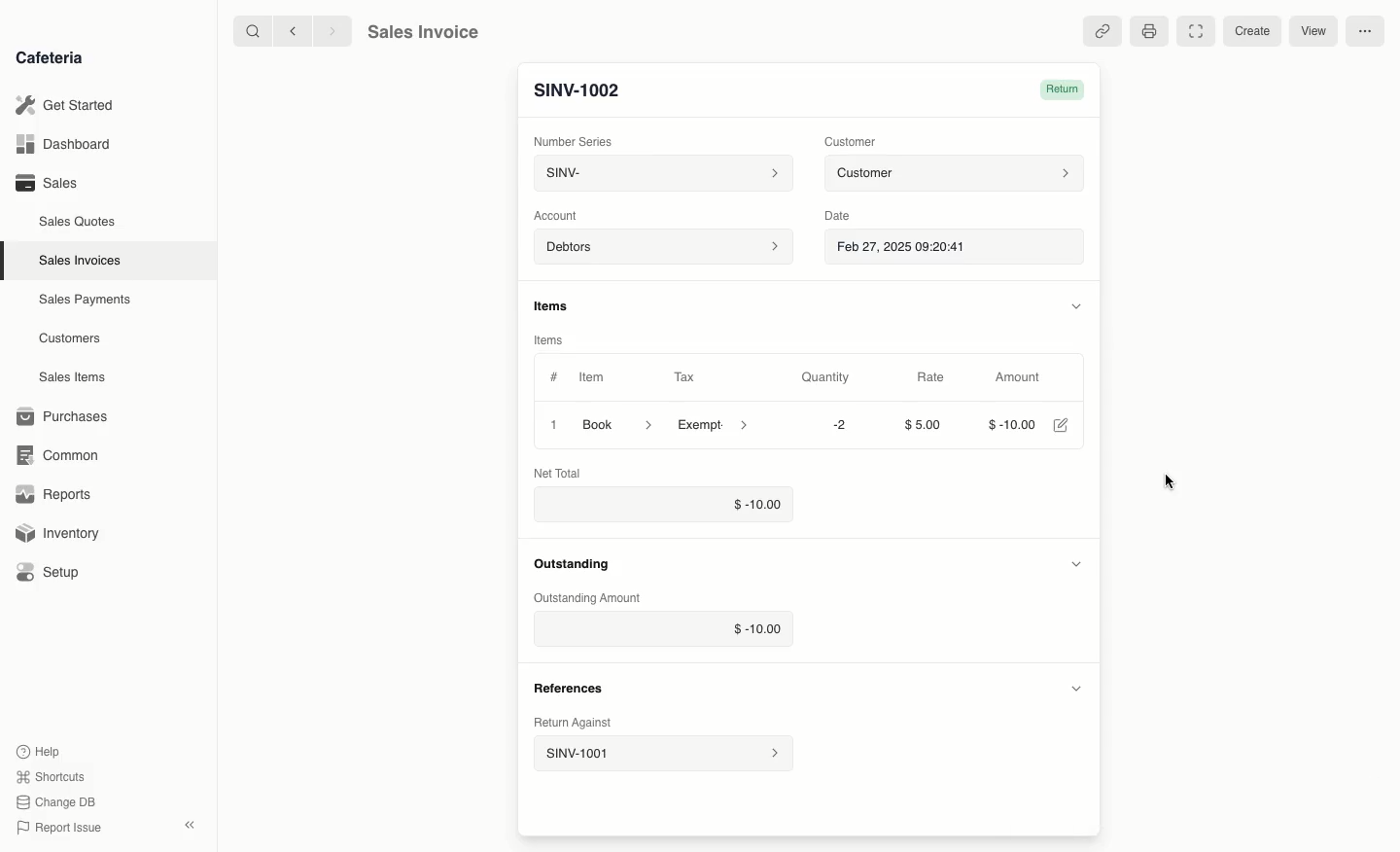  Describe the element at coordinates (573, 566) in the screenshot. I see `References` at that location.